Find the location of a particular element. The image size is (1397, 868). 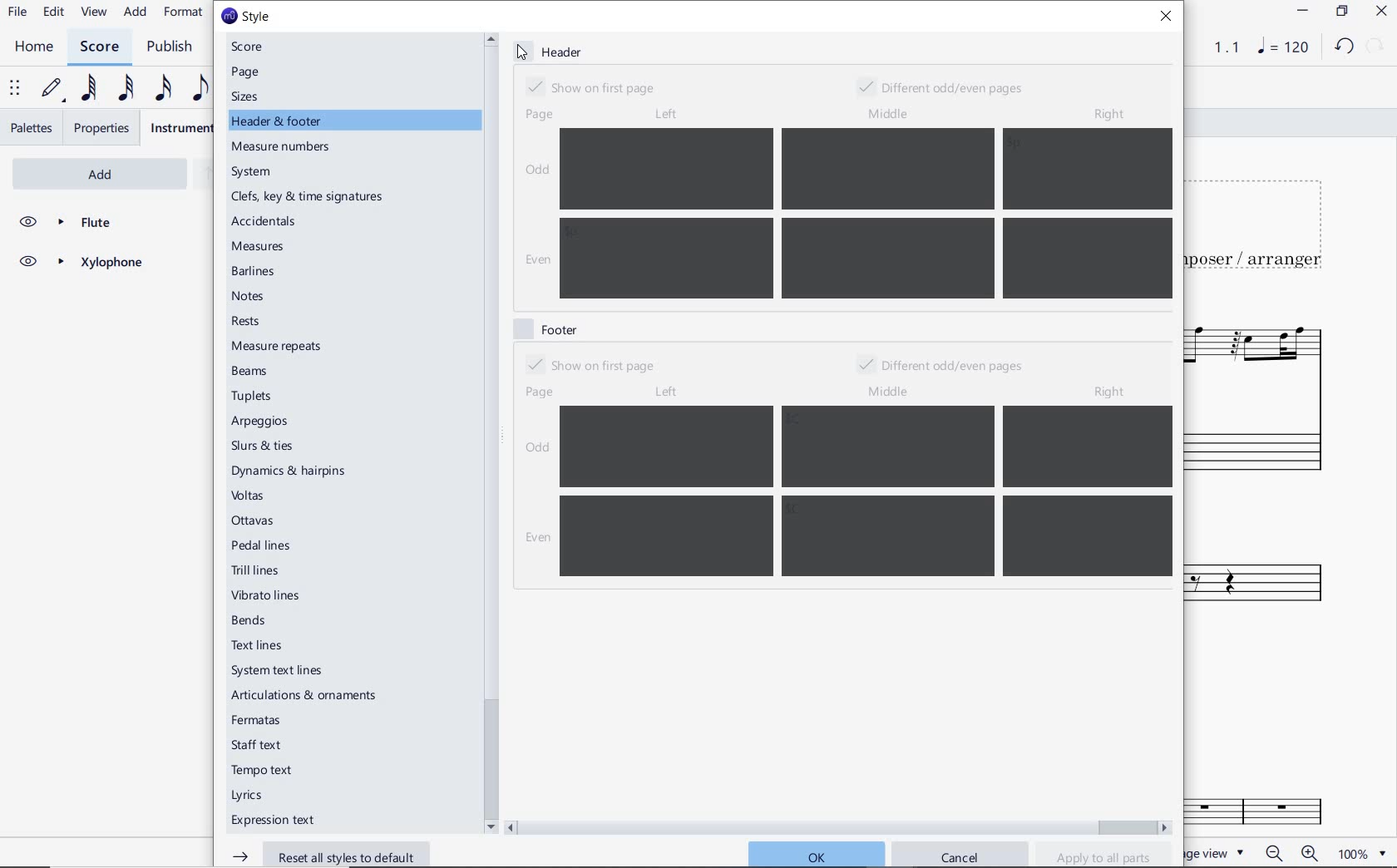

right is located at coordinates (1113, 392).